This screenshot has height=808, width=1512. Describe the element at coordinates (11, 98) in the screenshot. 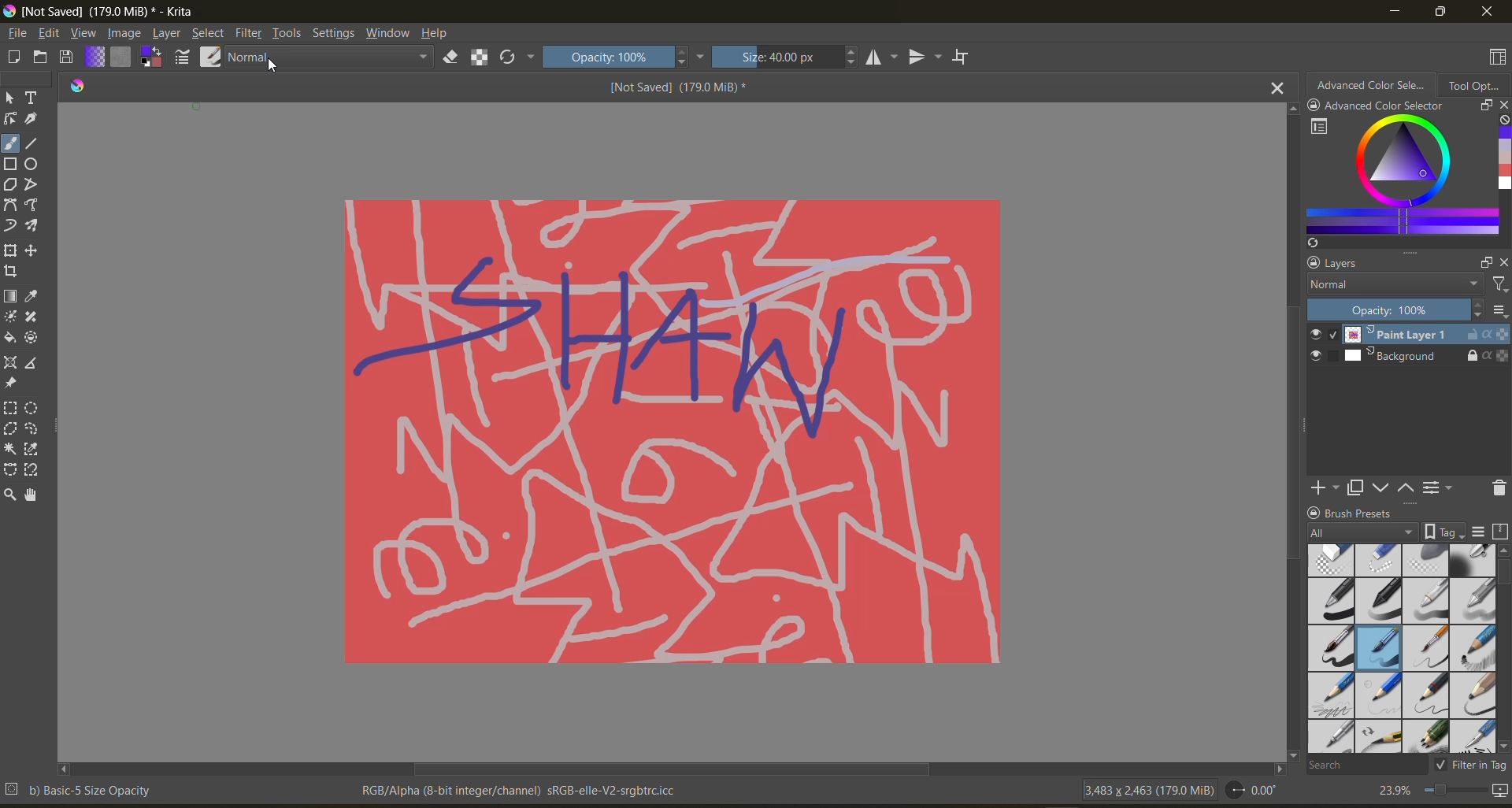

I see `select shapes tool` at that location.